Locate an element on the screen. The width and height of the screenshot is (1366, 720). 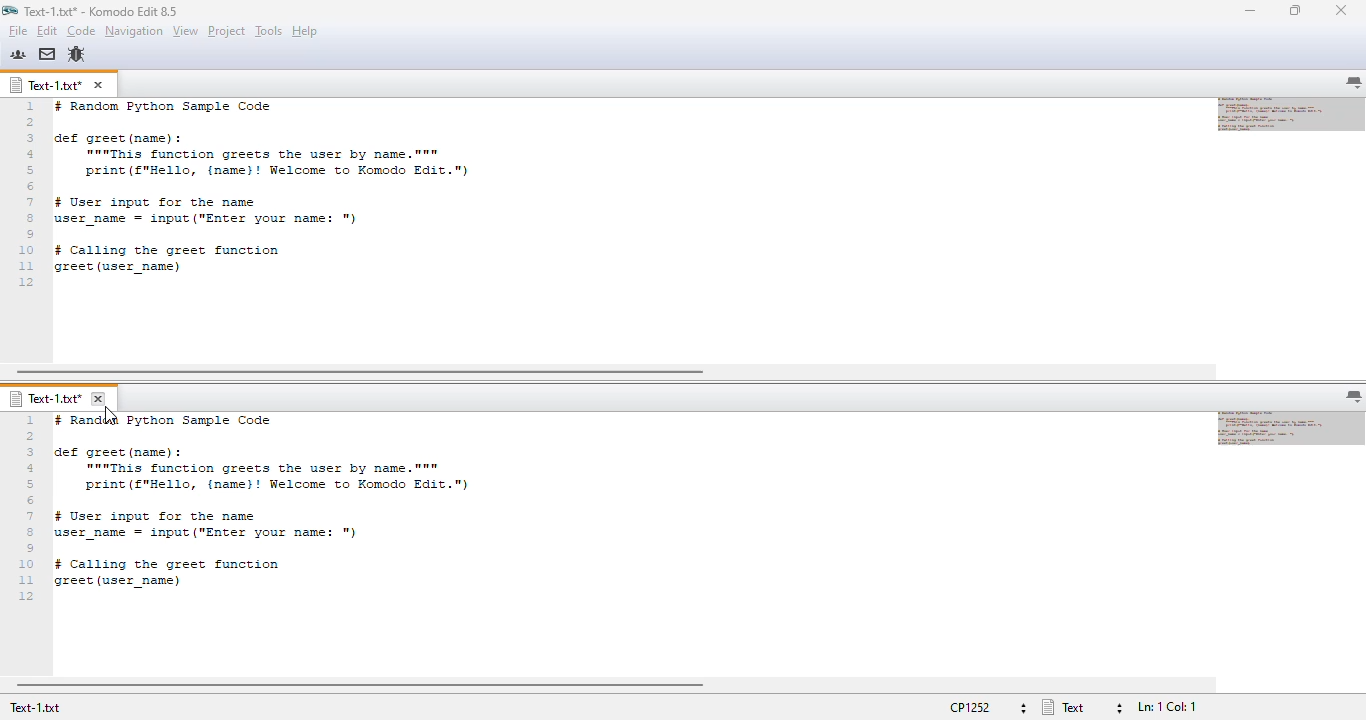
text-1 is located at coordinates (44, 400).